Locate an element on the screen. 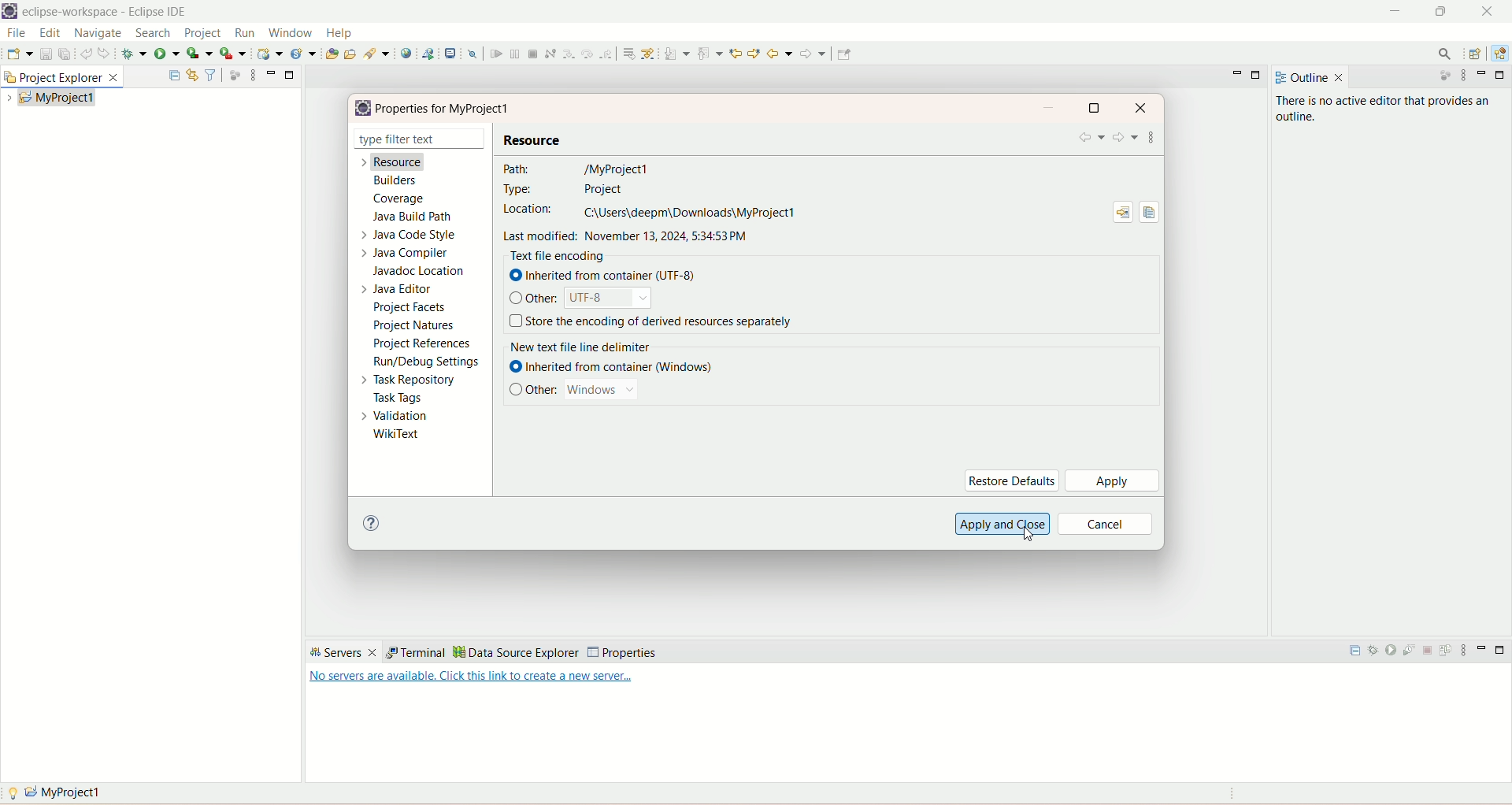  minimize is located at coordinates (1052, 109).